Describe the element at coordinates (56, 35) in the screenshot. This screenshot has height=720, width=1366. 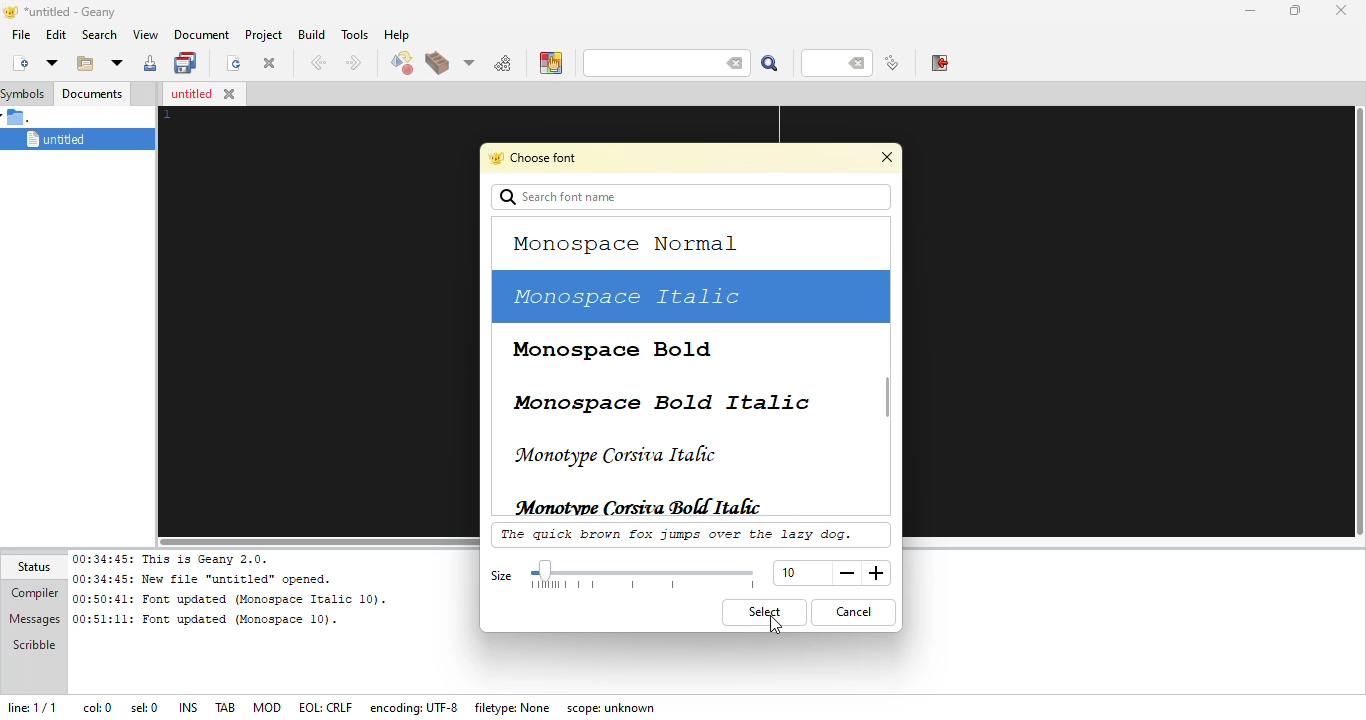
I see `edit` at that location.